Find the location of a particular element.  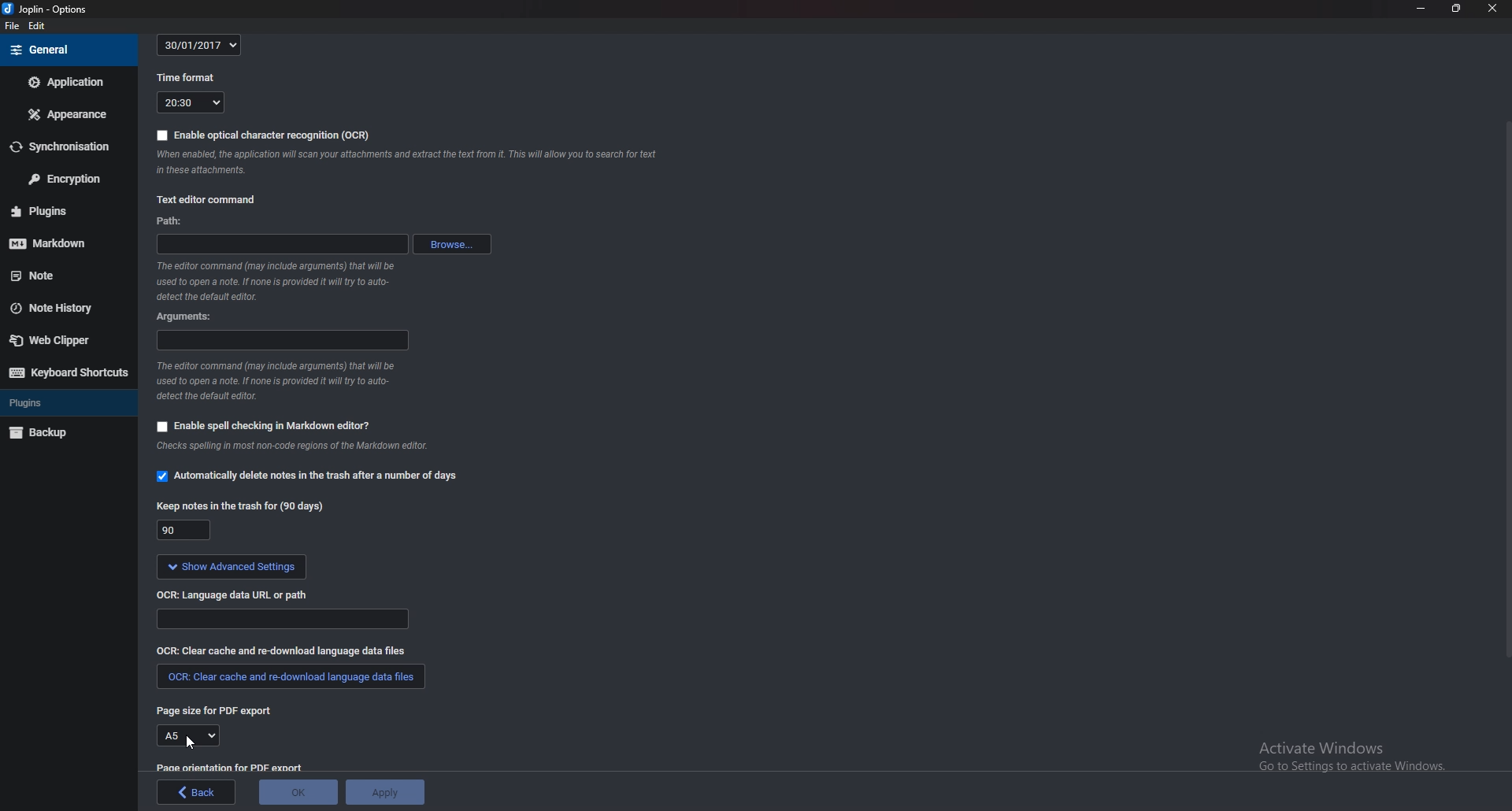

Apply is located at coordinates (387, 791).